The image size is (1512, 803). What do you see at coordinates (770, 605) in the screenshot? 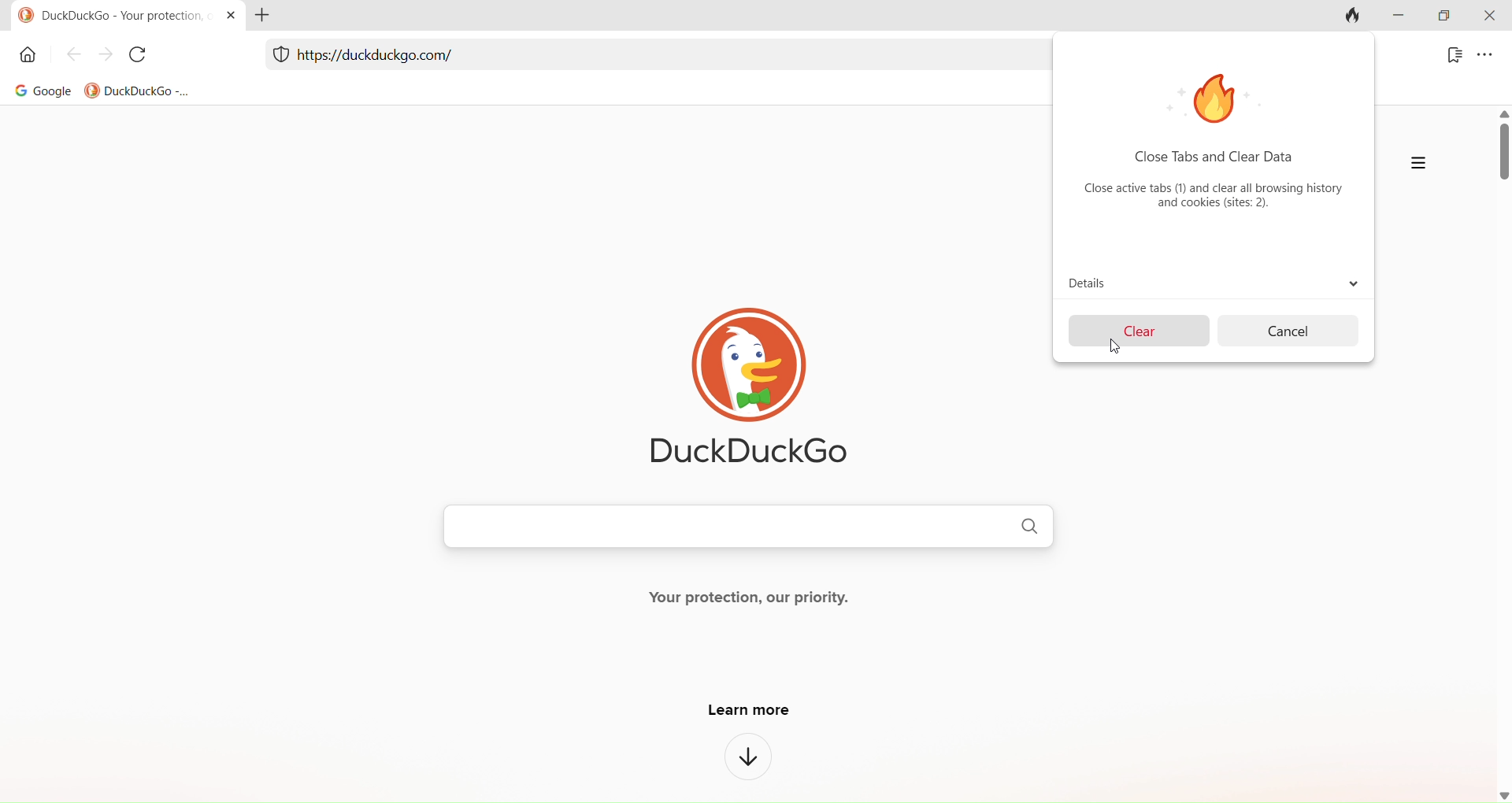
I see `your protection, our priority` at bounding box center [770, 605].